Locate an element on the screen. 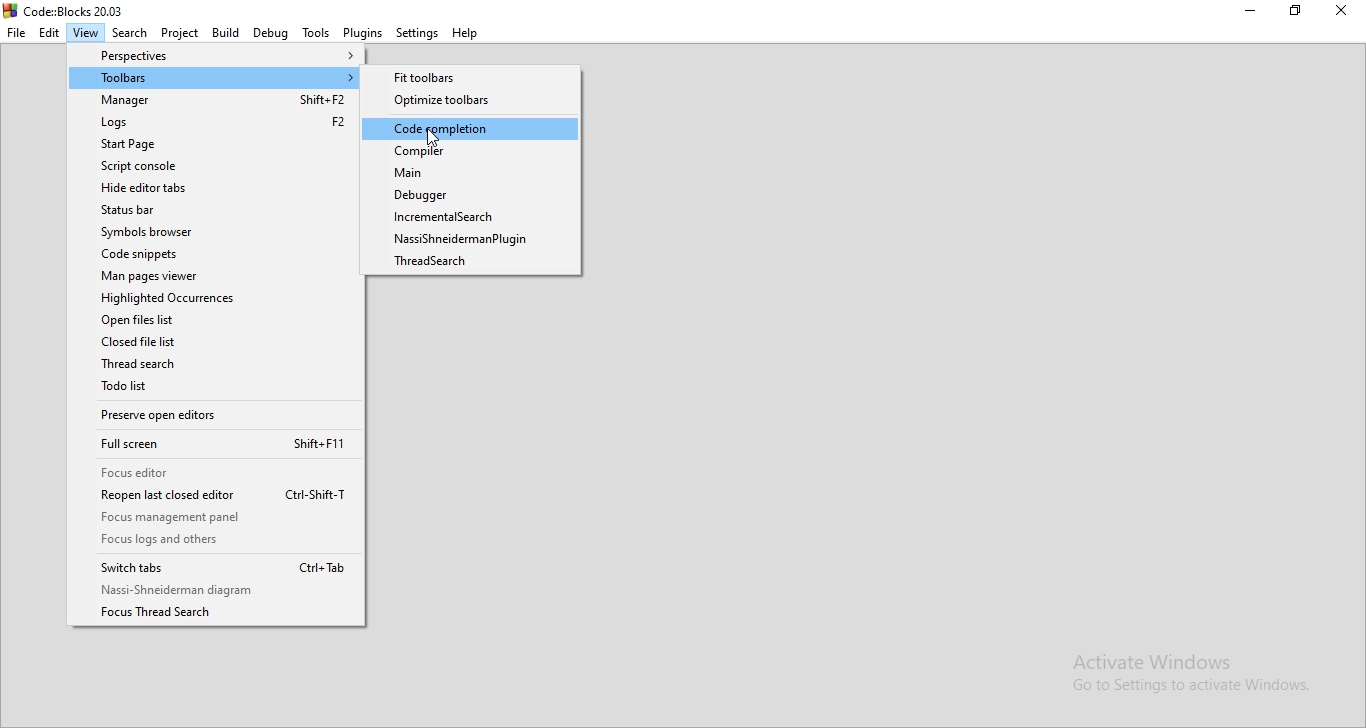 This screenshot has height=728, width=1366. Nas-Shneiderman diagram is located at coordinates (218, 590).